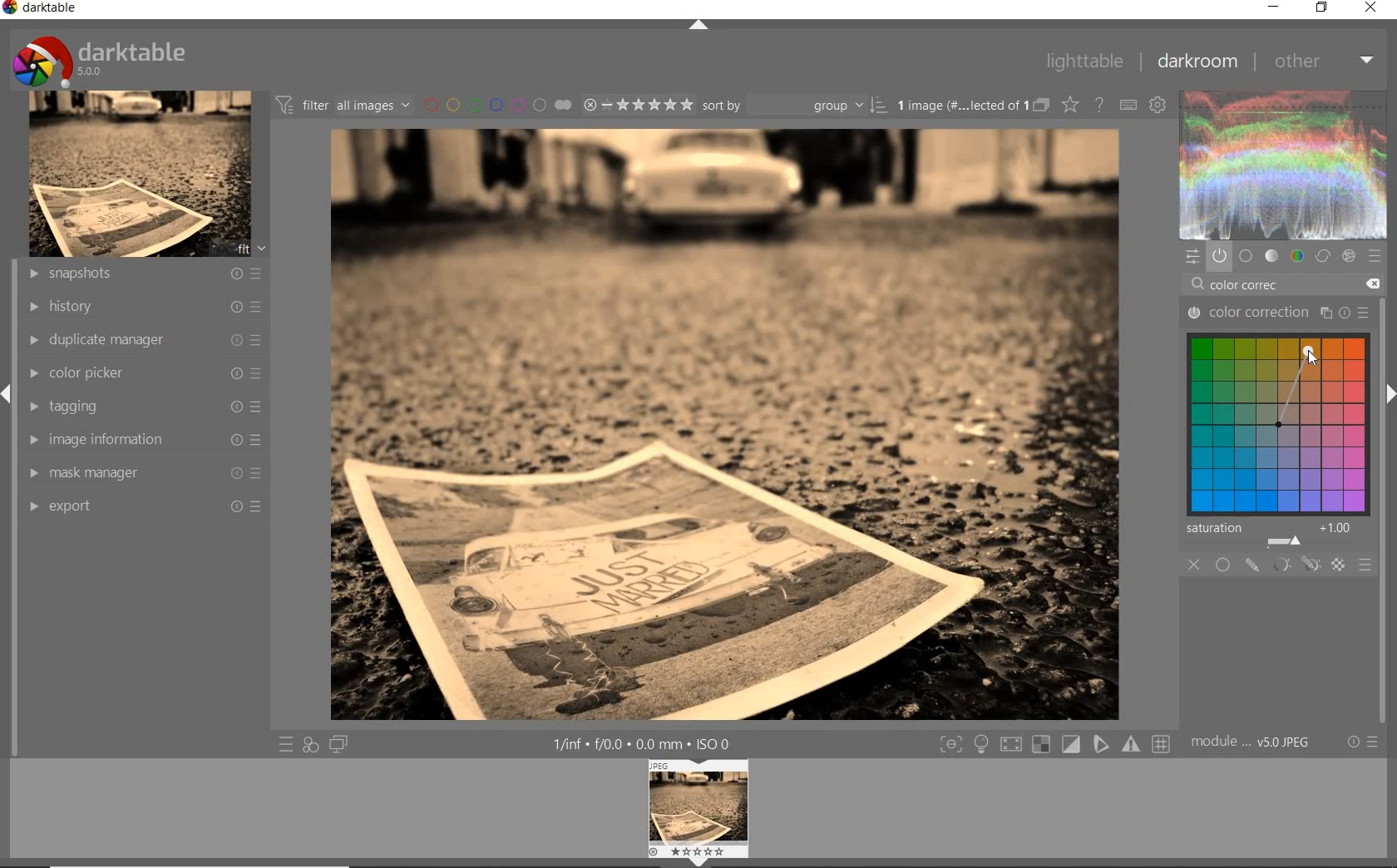 The image size is (1397, 868). Describe the element at coordinates (146, 471) in the screenshot. I see `mask manager` at that location.